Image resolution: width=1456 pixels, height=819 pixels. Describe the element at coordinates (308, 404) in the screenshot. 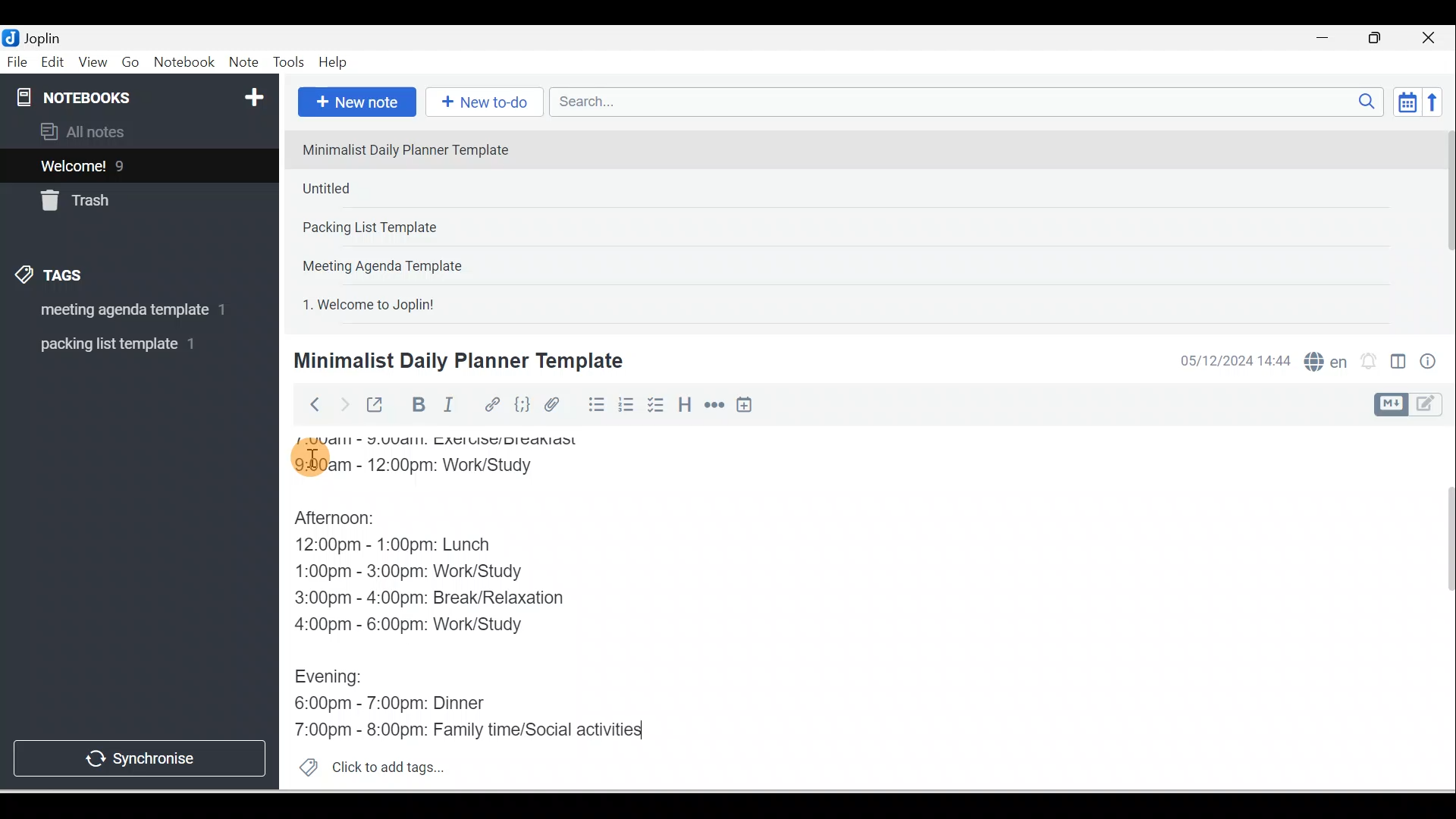

I see `Back` at that location.